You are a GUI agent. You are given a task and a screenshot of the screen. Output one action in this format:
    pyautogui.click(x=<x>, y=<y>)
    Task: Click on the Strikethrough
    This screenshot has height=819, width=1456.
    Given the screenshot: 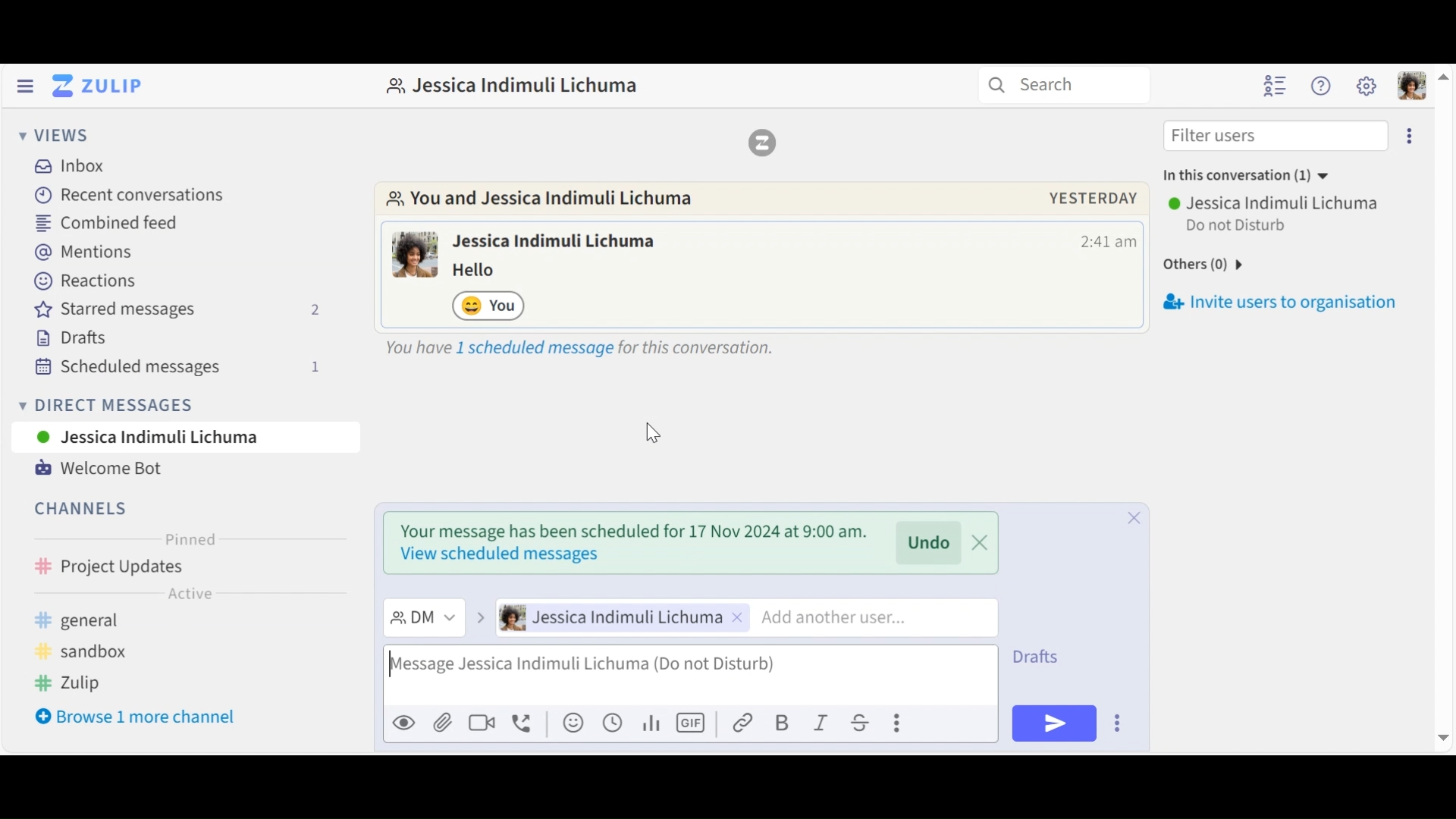 What is the action you would take?
    pyautogui.click(x=858, y=723)
    